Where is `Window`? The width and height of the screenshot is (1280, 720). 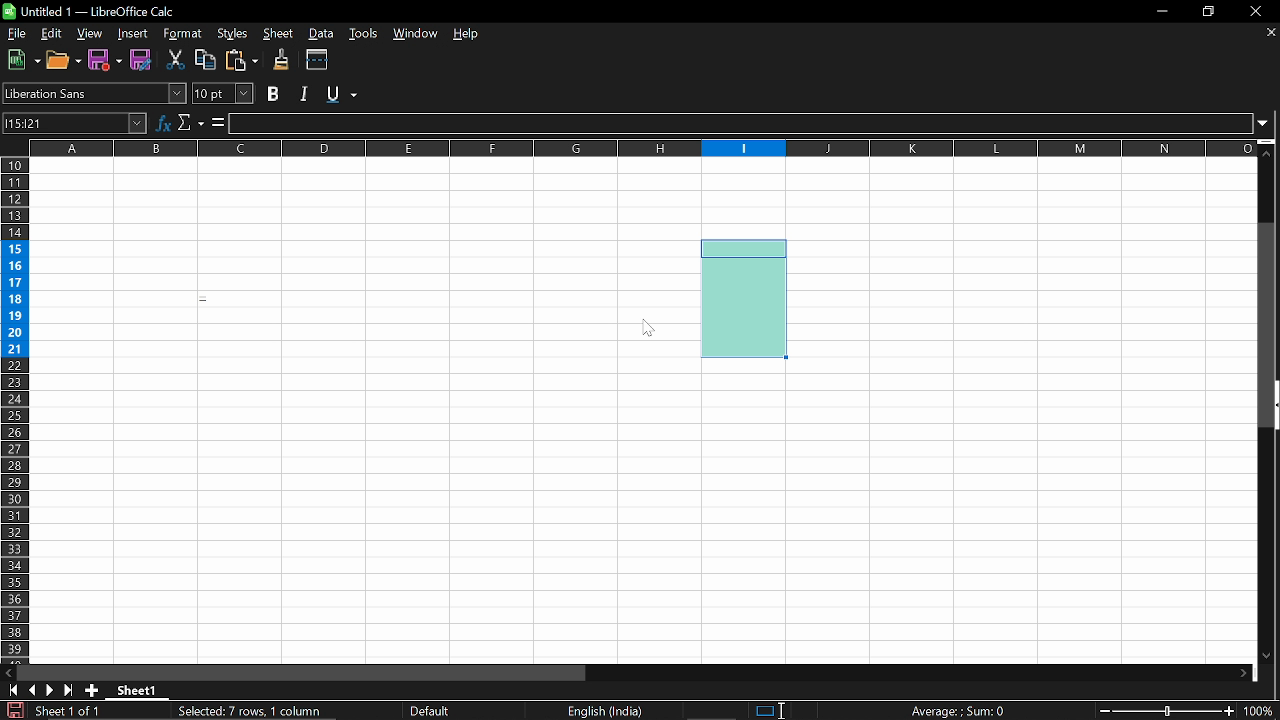 Window is located at coordinates (417, 35).